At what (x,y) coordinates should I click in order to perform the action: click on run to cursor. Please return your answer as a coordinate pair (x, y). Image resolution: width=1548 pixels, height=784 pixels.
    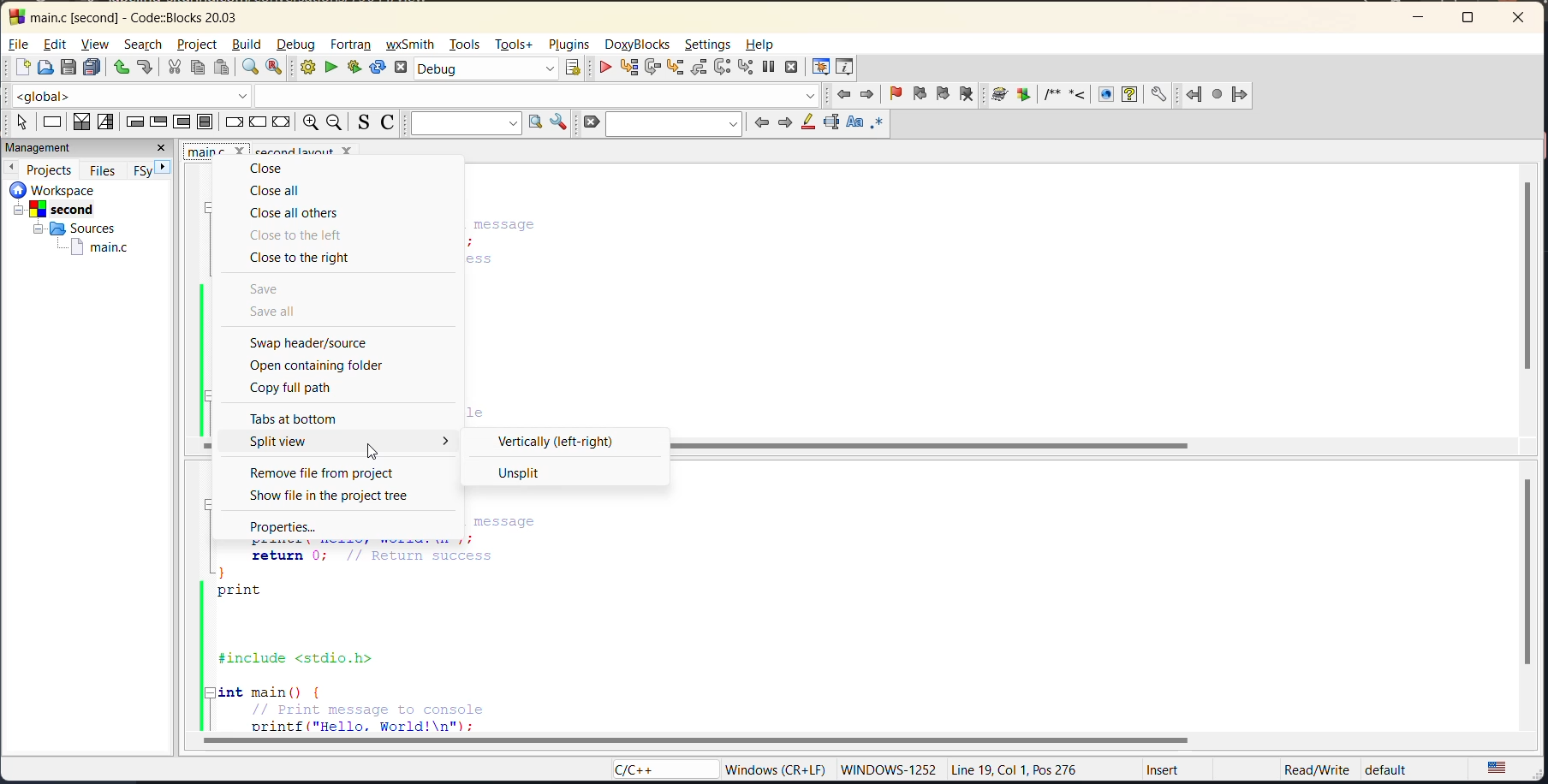
    Looking at the image, I should click on (633, 68).